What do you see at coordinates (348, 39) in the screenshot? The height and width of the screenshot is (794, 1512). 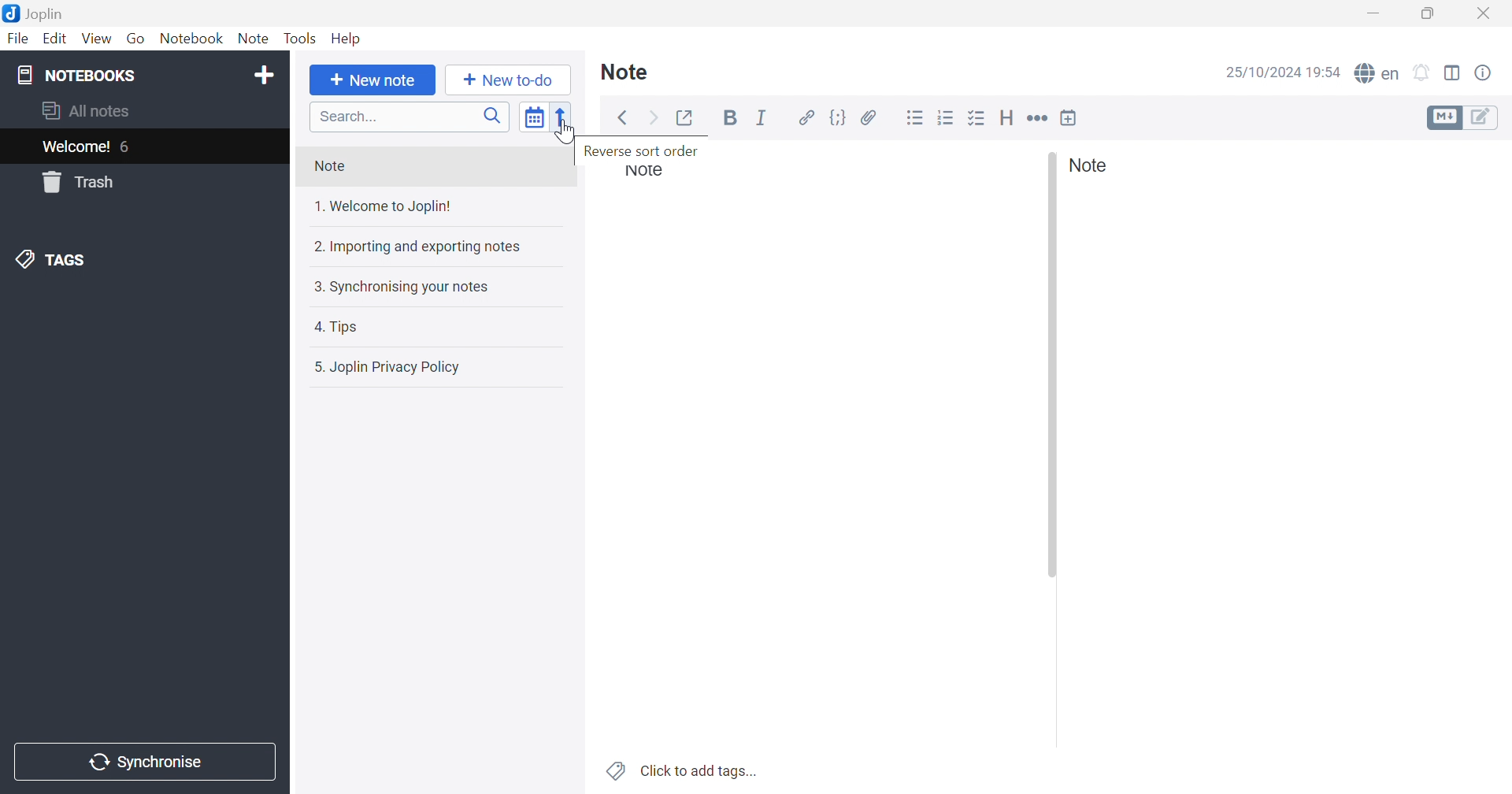 I see `Help` at bounding box center [348, 39].